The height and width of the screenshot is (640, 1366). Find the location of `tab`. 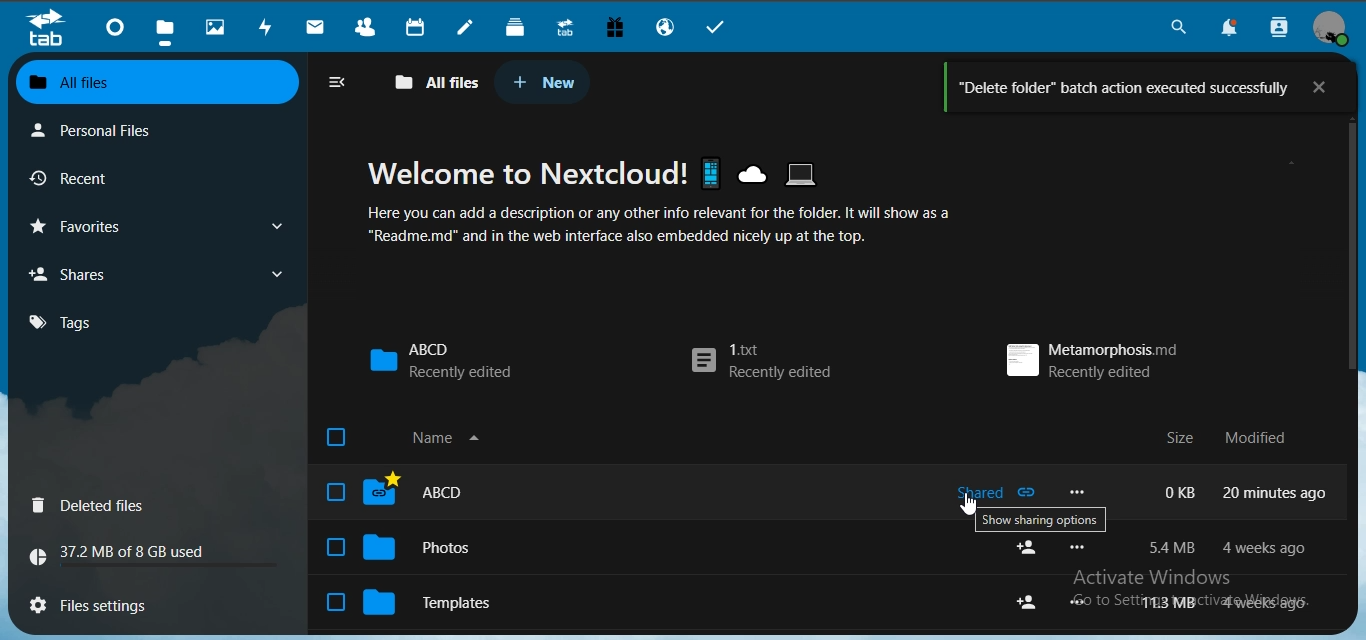

tab is located at coordinates (47, 30).